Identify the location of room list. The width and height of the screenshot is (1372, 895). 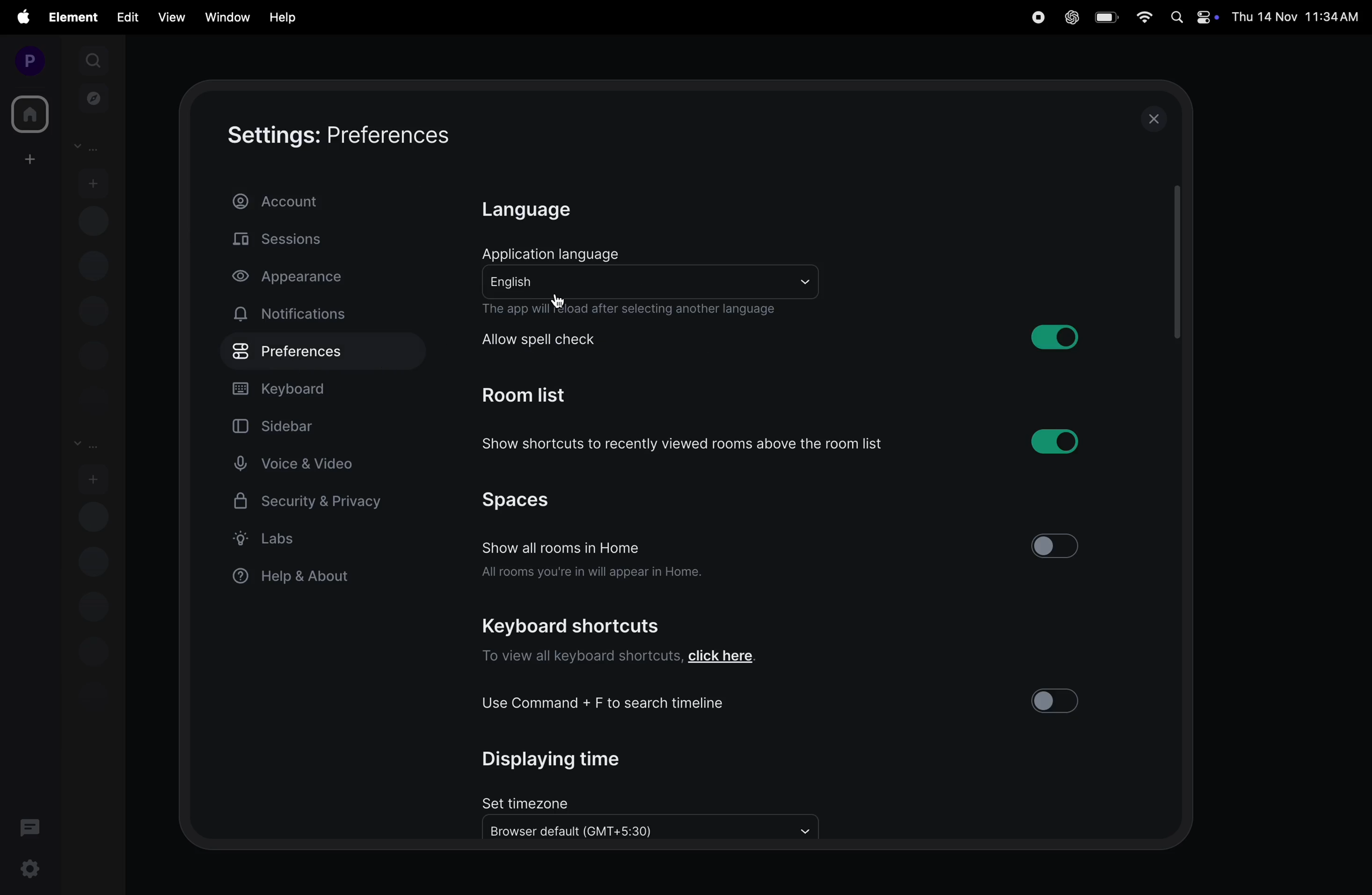
(525, 393).